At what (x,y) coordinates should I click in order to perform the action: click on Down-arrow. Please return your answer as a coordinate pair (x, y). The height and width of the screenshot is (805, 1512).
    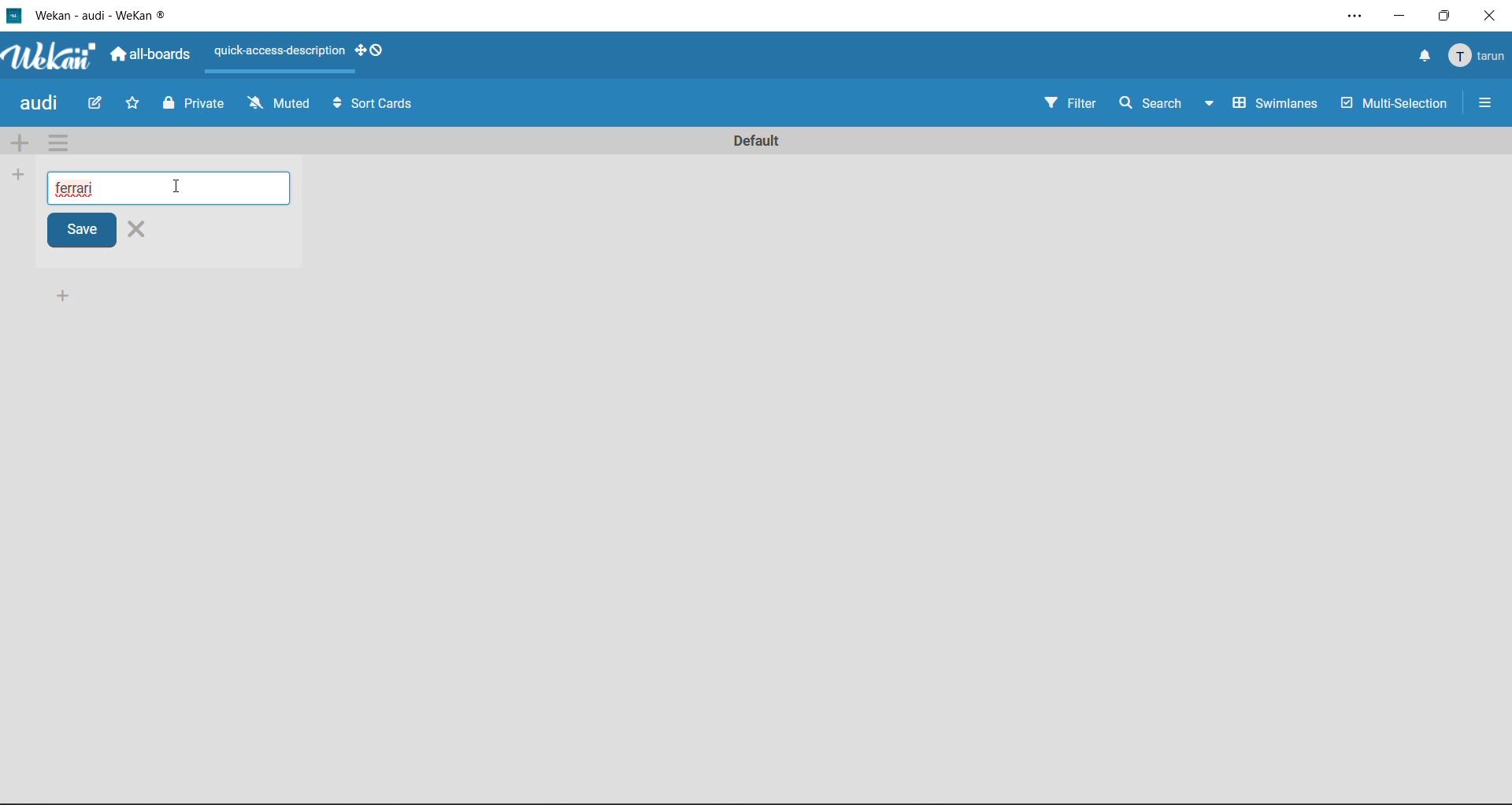
    Looking at the image, I should click on (1208, 107).